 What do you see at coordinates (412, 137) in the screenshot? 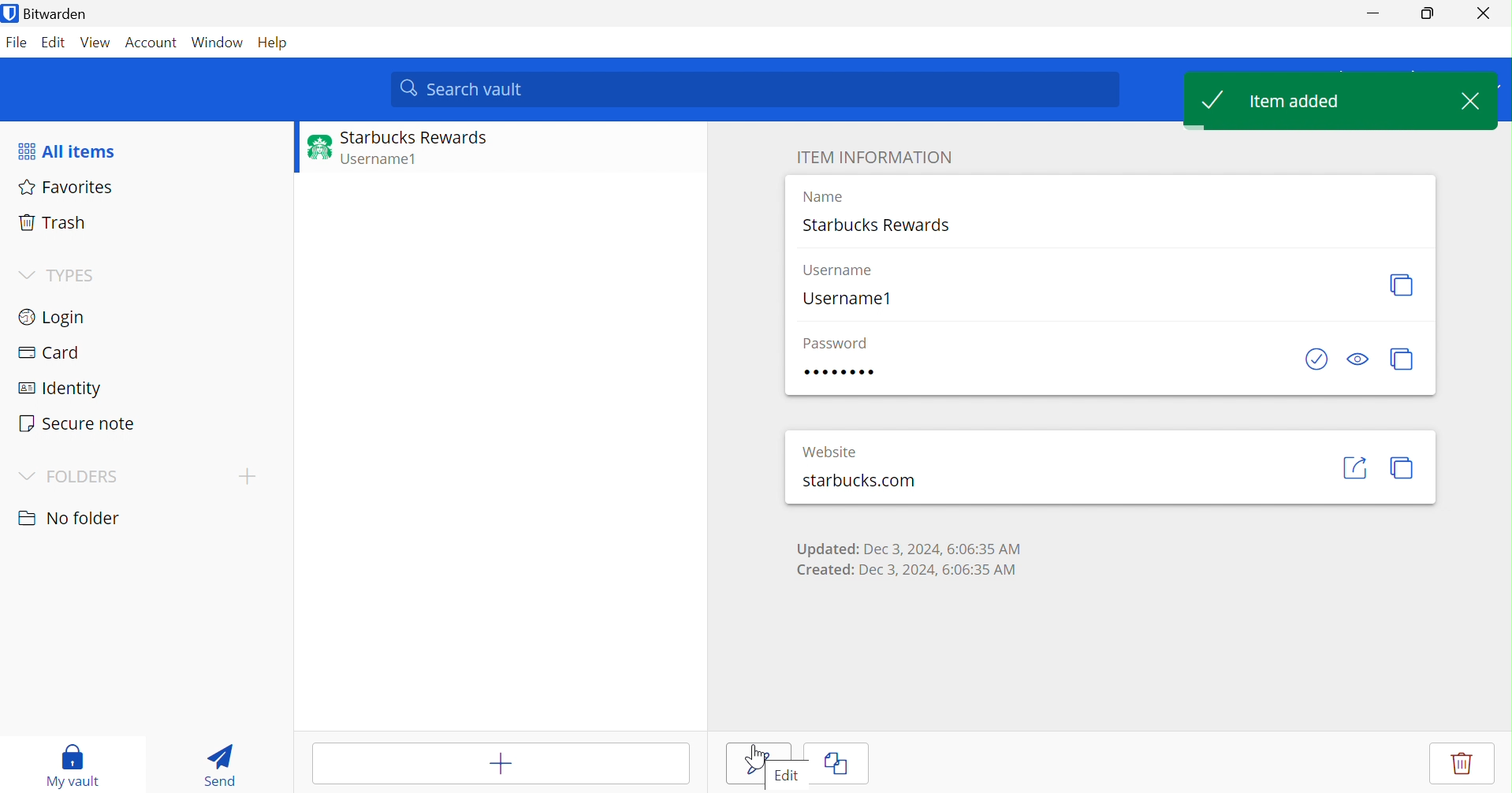
I see `Starbucks Rewards` at bounding box center [412, 137].